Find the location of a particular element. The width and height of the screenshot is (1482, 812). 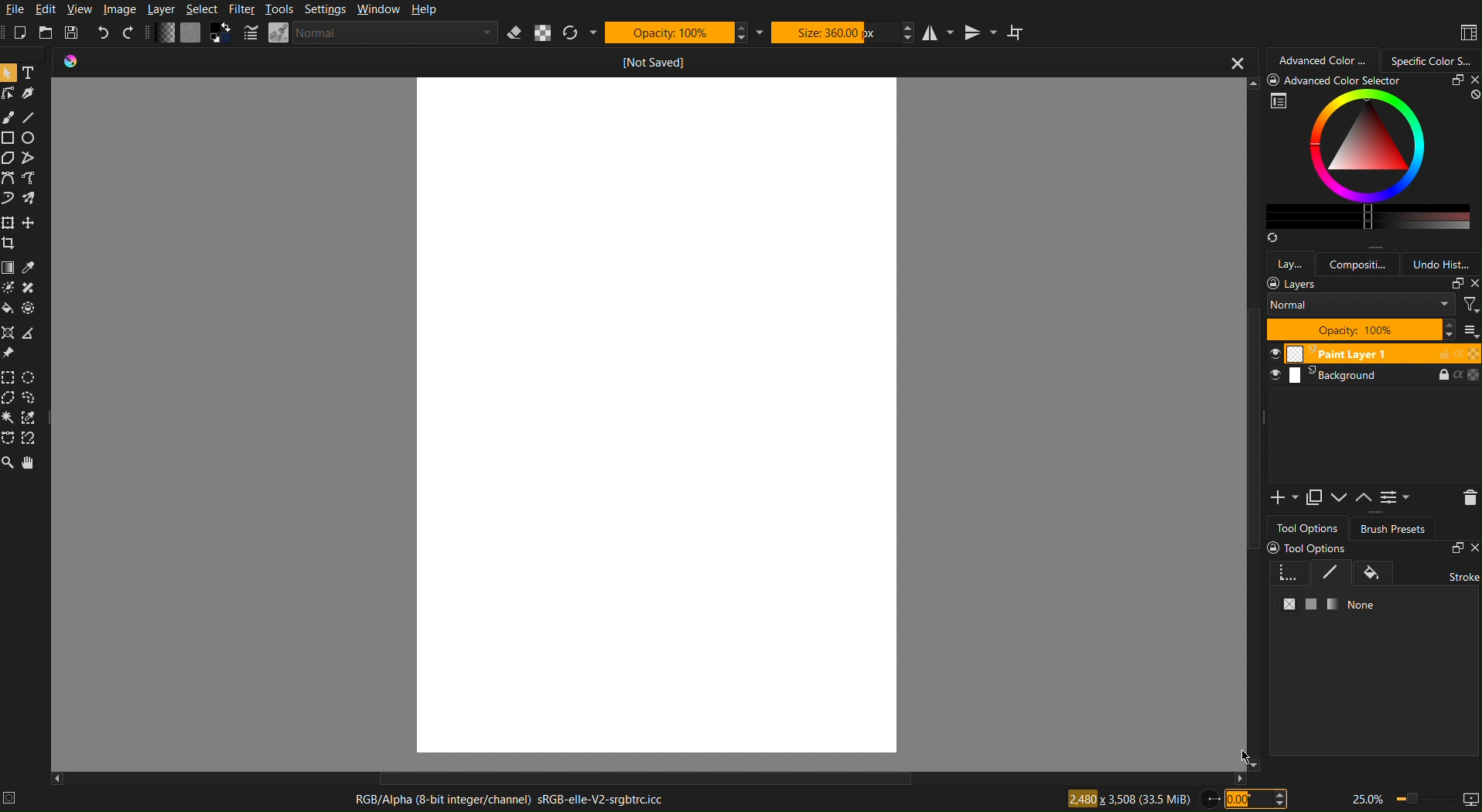

Help is located at coordinates (425, 10).